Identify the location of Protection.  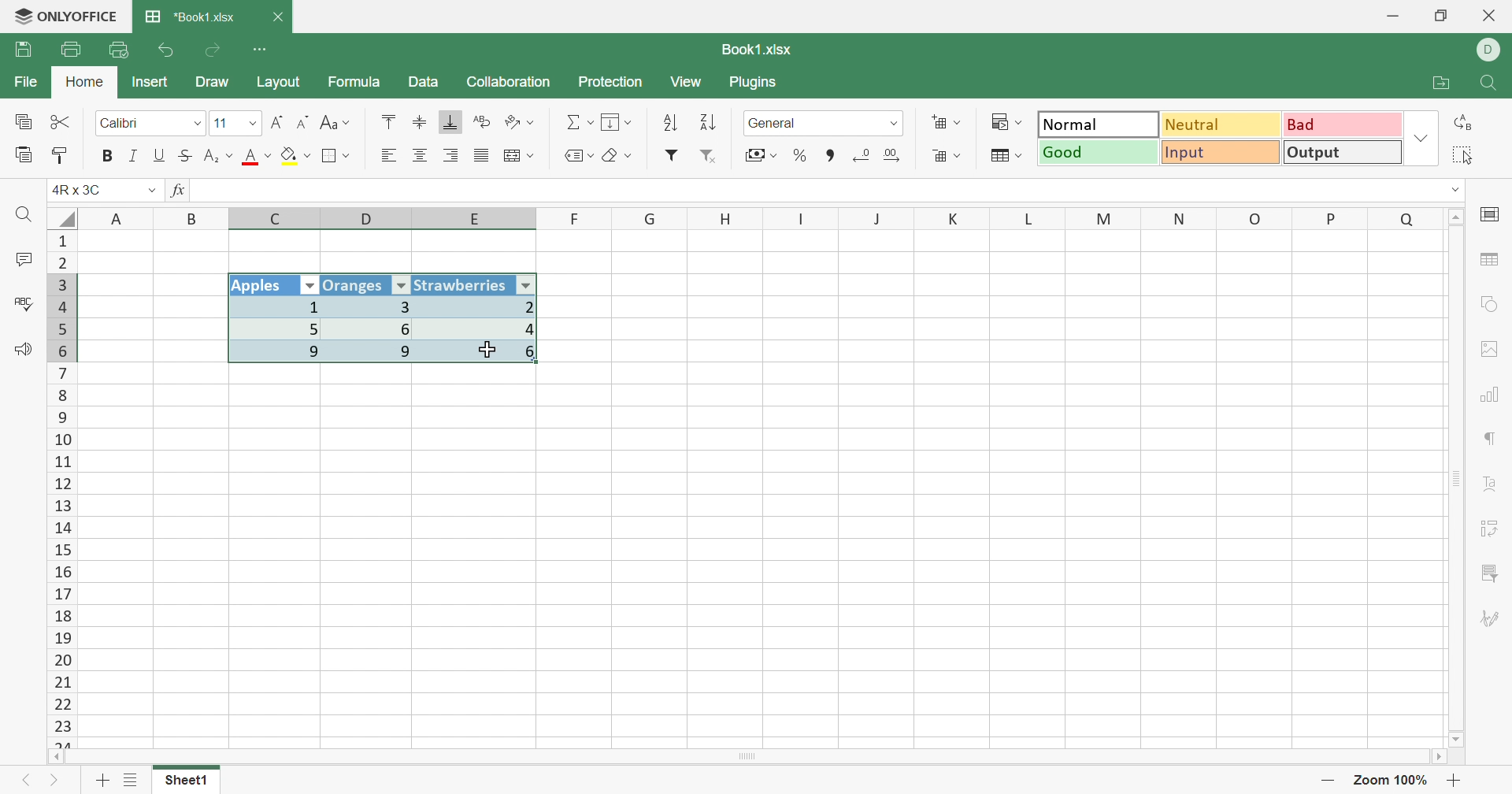
(612, 83).